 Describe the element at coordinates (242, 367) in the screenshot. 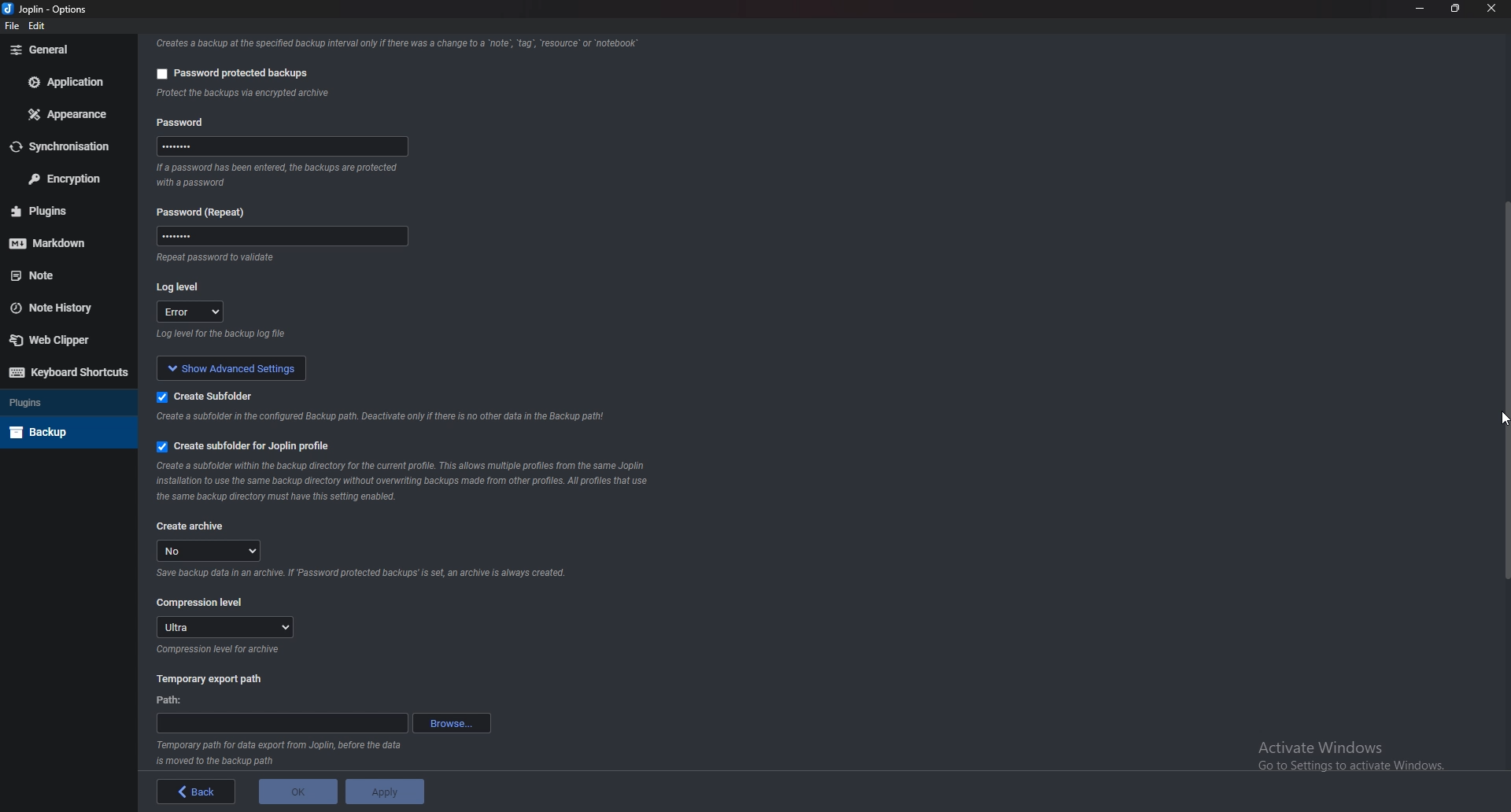

I see `show advanced setting` at that location.